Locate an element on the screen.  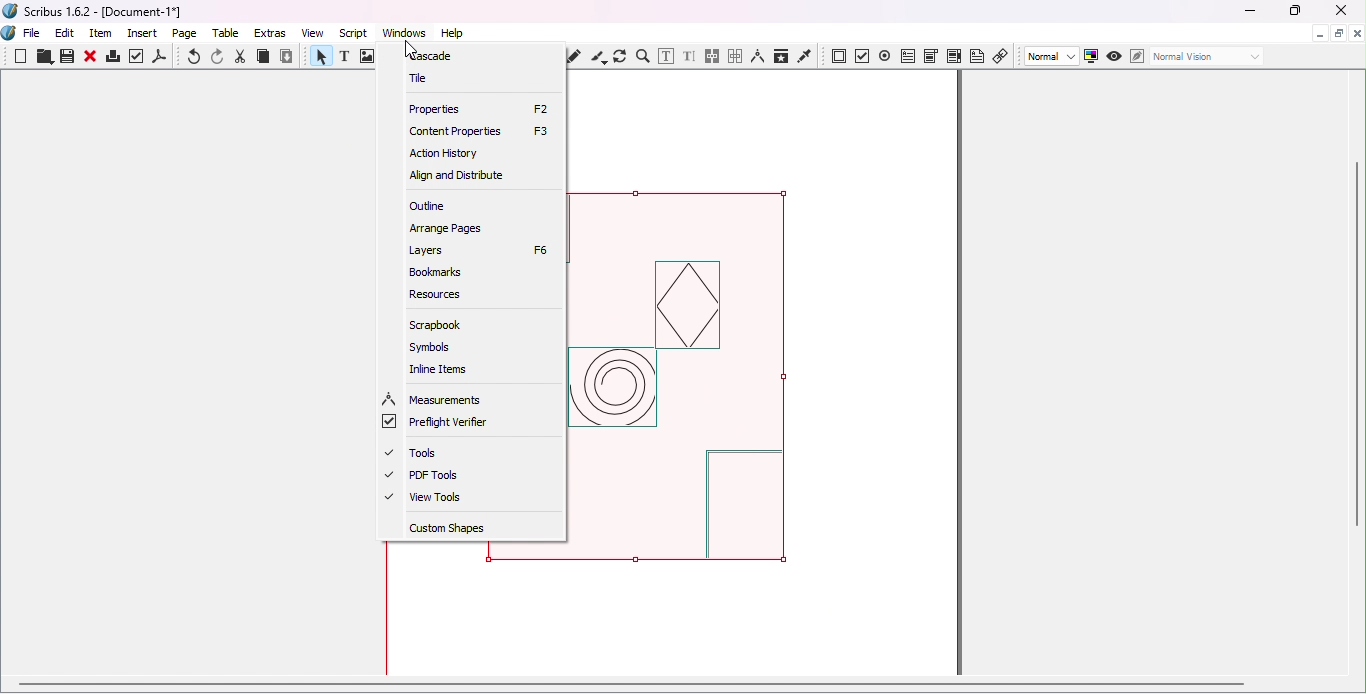
View Tools is located at coordinates (431, 501).